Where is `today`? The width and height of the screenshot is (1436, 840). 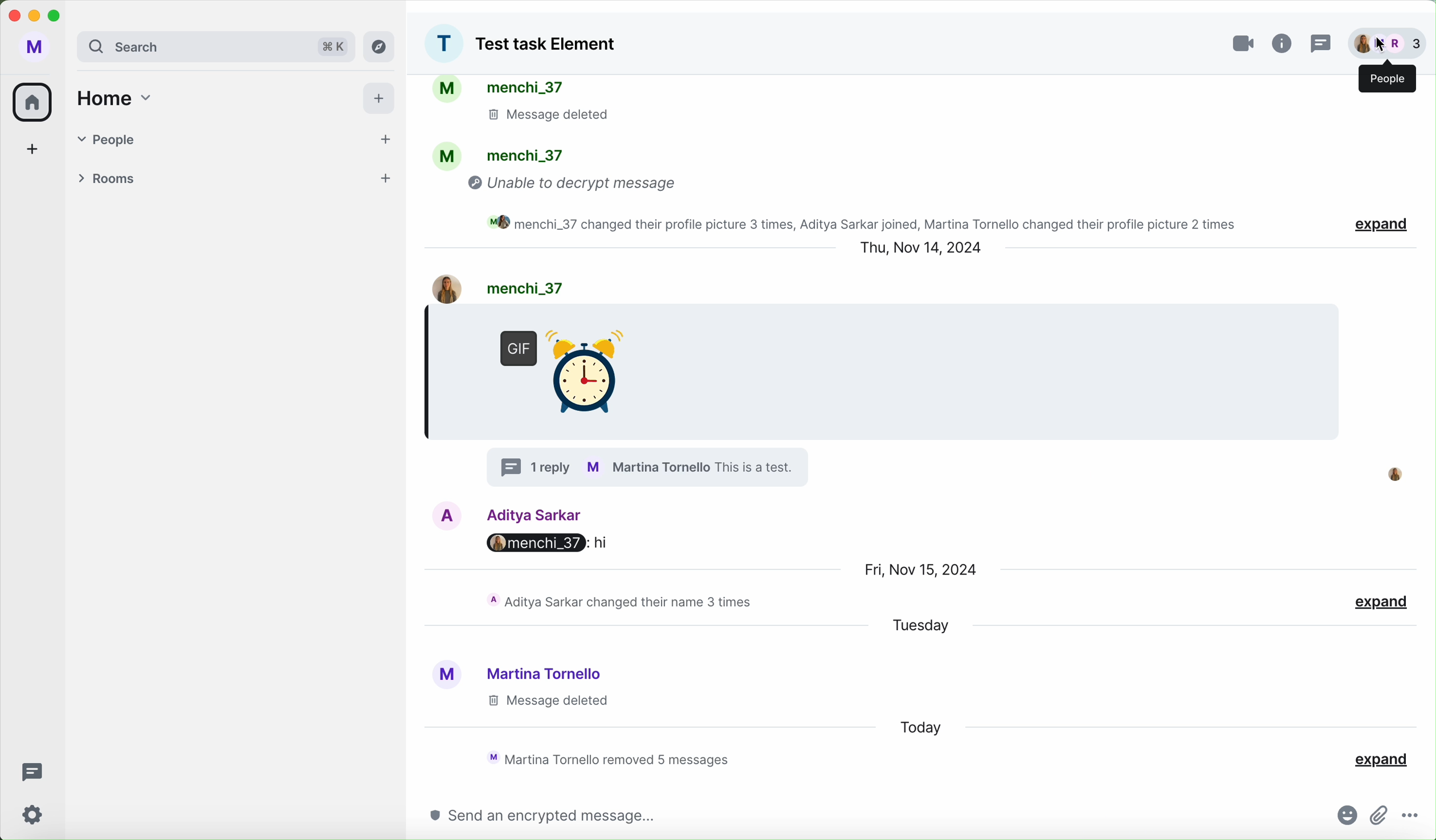 today is located at coordinates (921, 728).